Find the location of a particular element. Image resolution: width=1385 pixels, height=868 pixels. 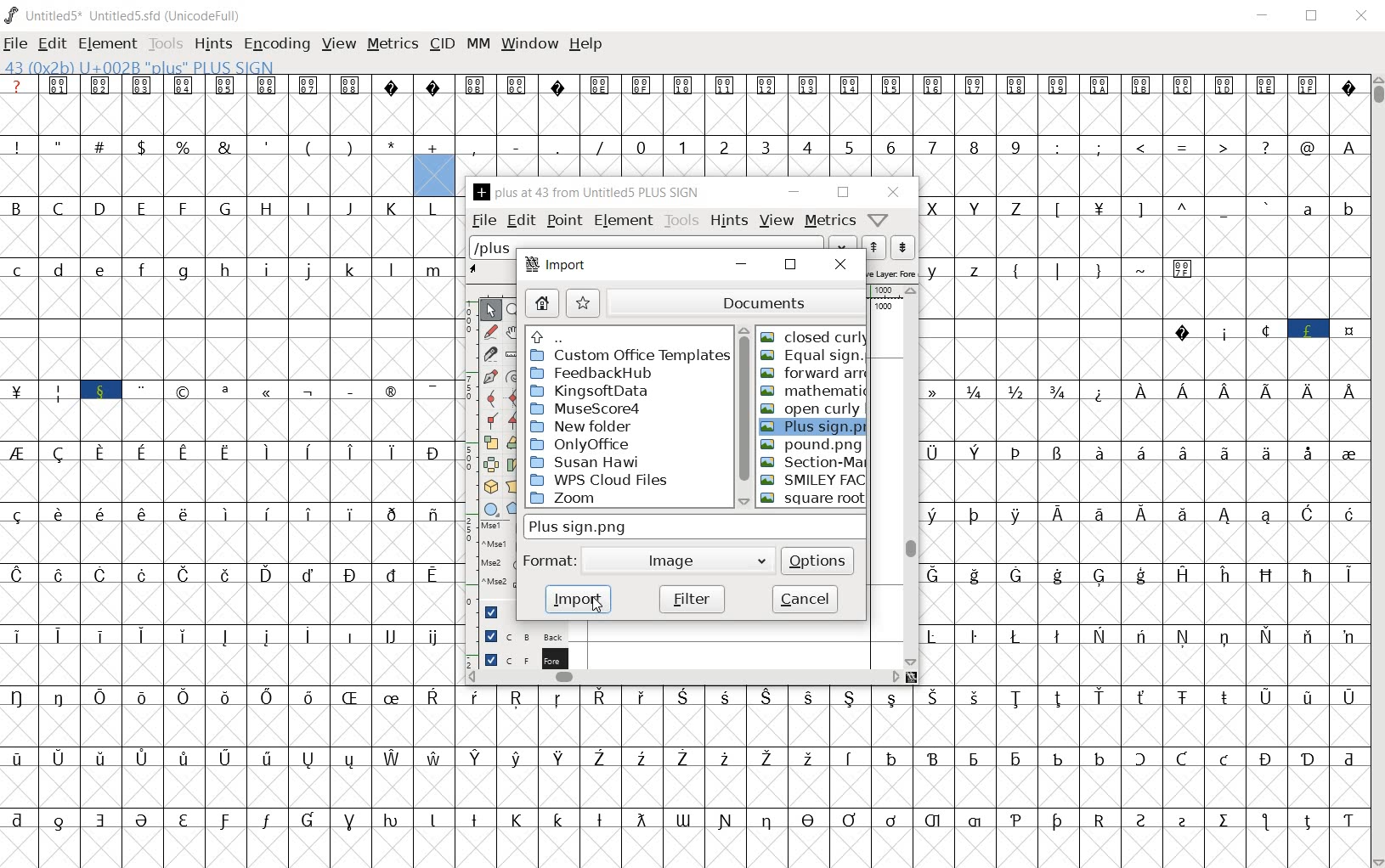

element is located at coordinates (105, 41).